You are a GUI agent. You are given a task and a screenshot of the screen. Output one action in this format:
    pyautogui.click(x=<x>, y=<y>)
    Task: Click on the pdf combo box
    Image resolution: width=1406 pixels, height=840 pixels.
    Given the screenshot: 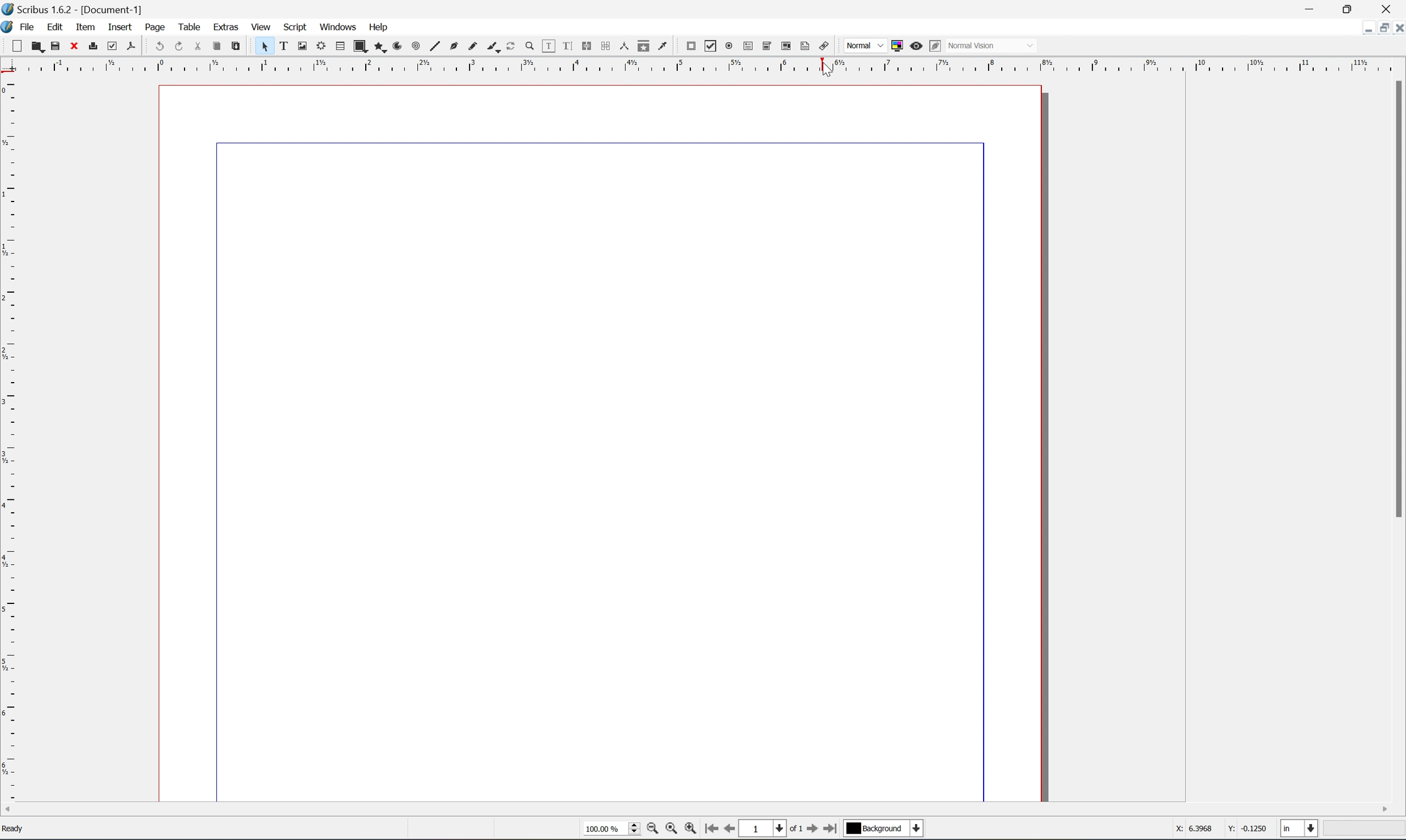 What is the action you would take?
    pyautogui.click(x=767, y=48)
    